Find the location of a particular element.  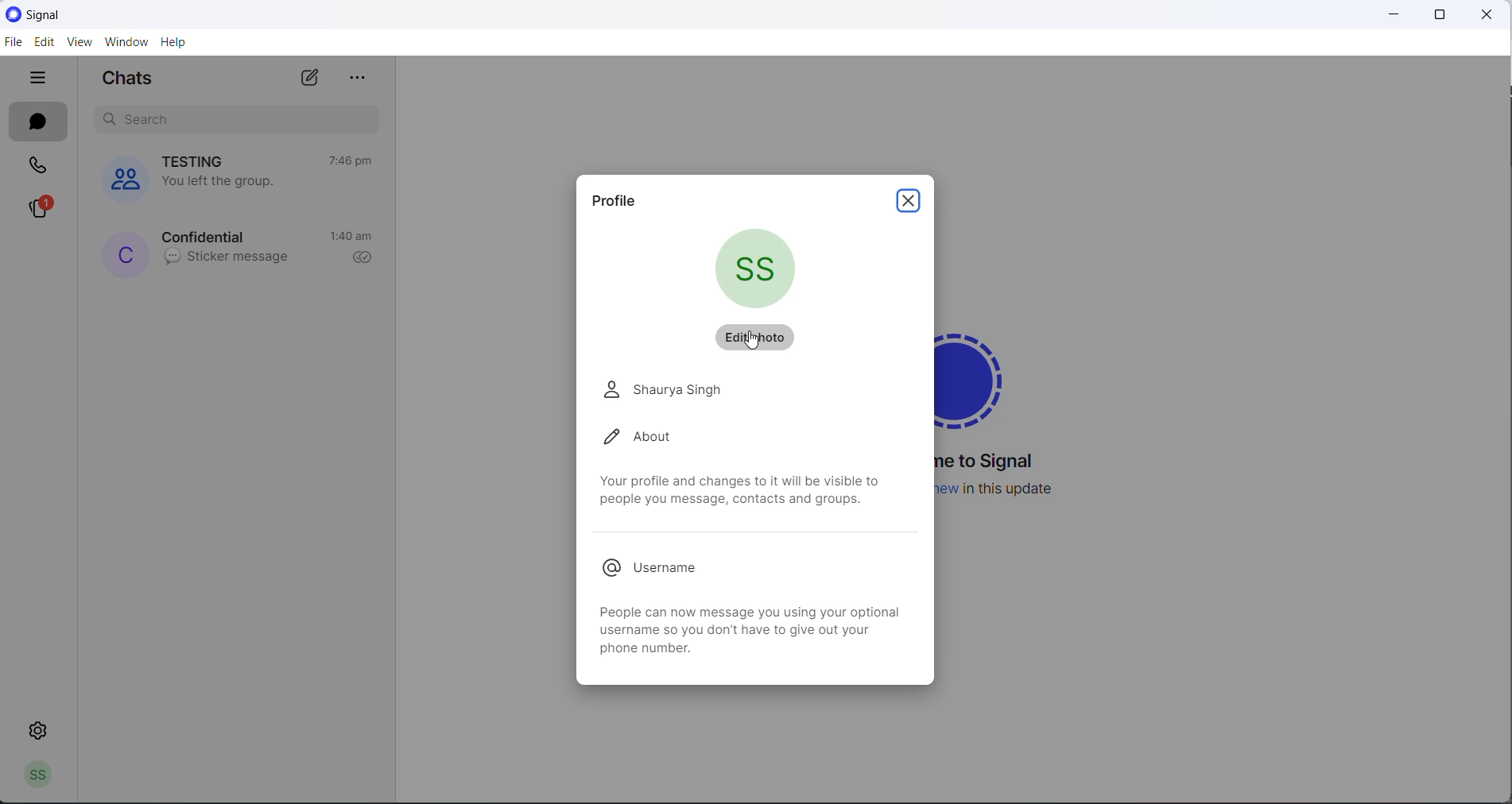

group name is located at coordinates (196, 160).